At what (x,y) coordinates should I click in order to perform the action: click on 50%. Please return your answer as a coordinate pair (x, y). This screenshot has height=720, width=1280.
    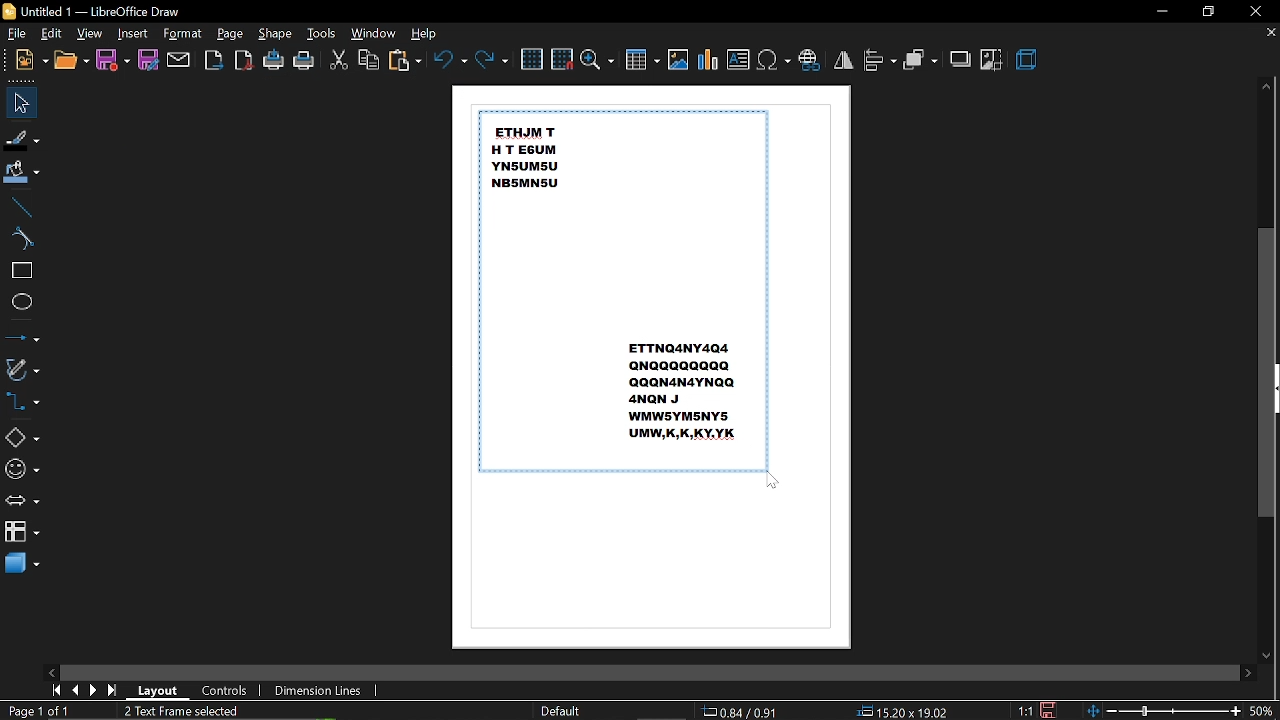
    Looking at the image, I should click on (1262, 712).